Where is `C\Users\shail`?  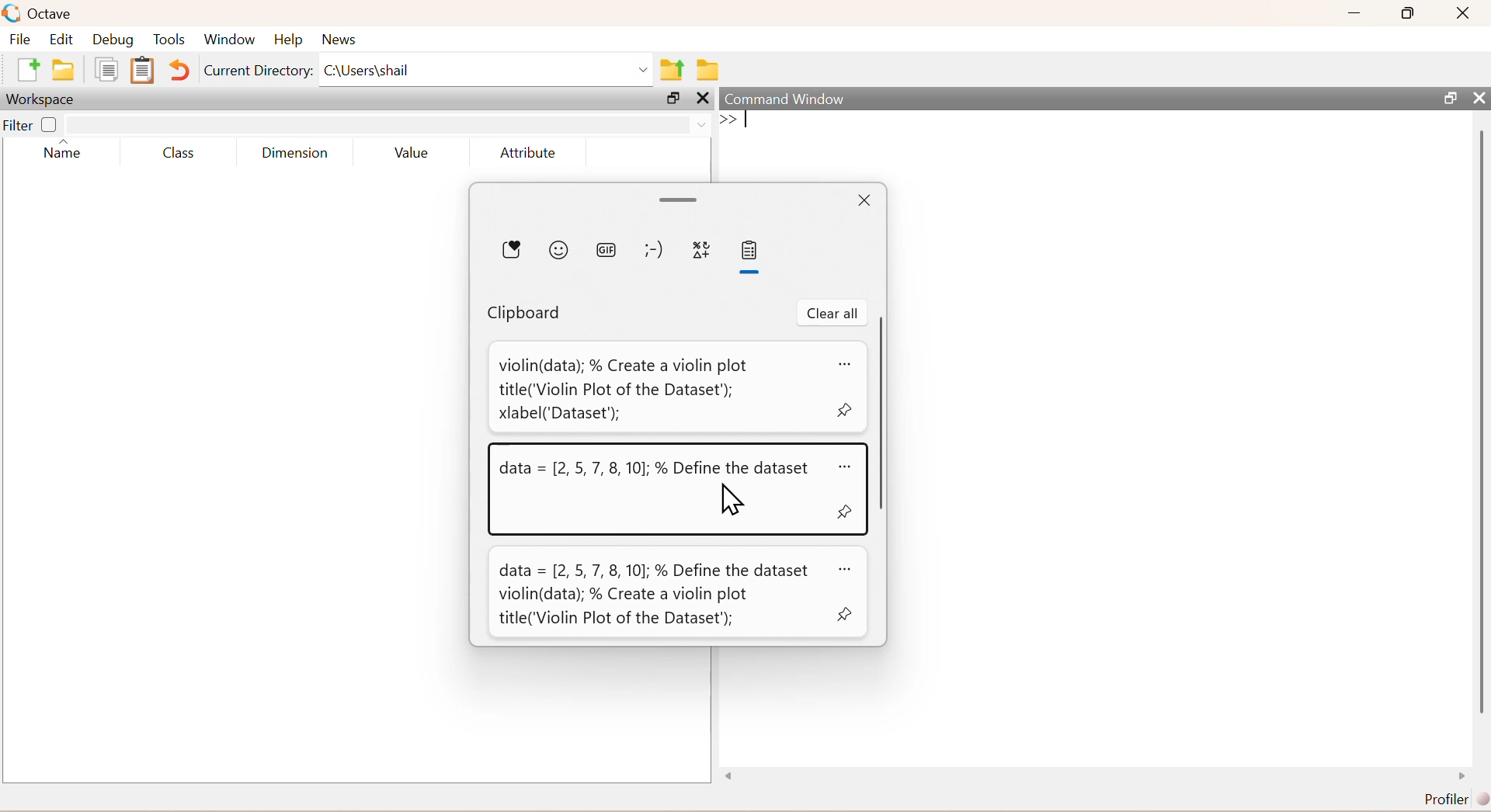 C\Users\shail is located at coordinates (367, 70).